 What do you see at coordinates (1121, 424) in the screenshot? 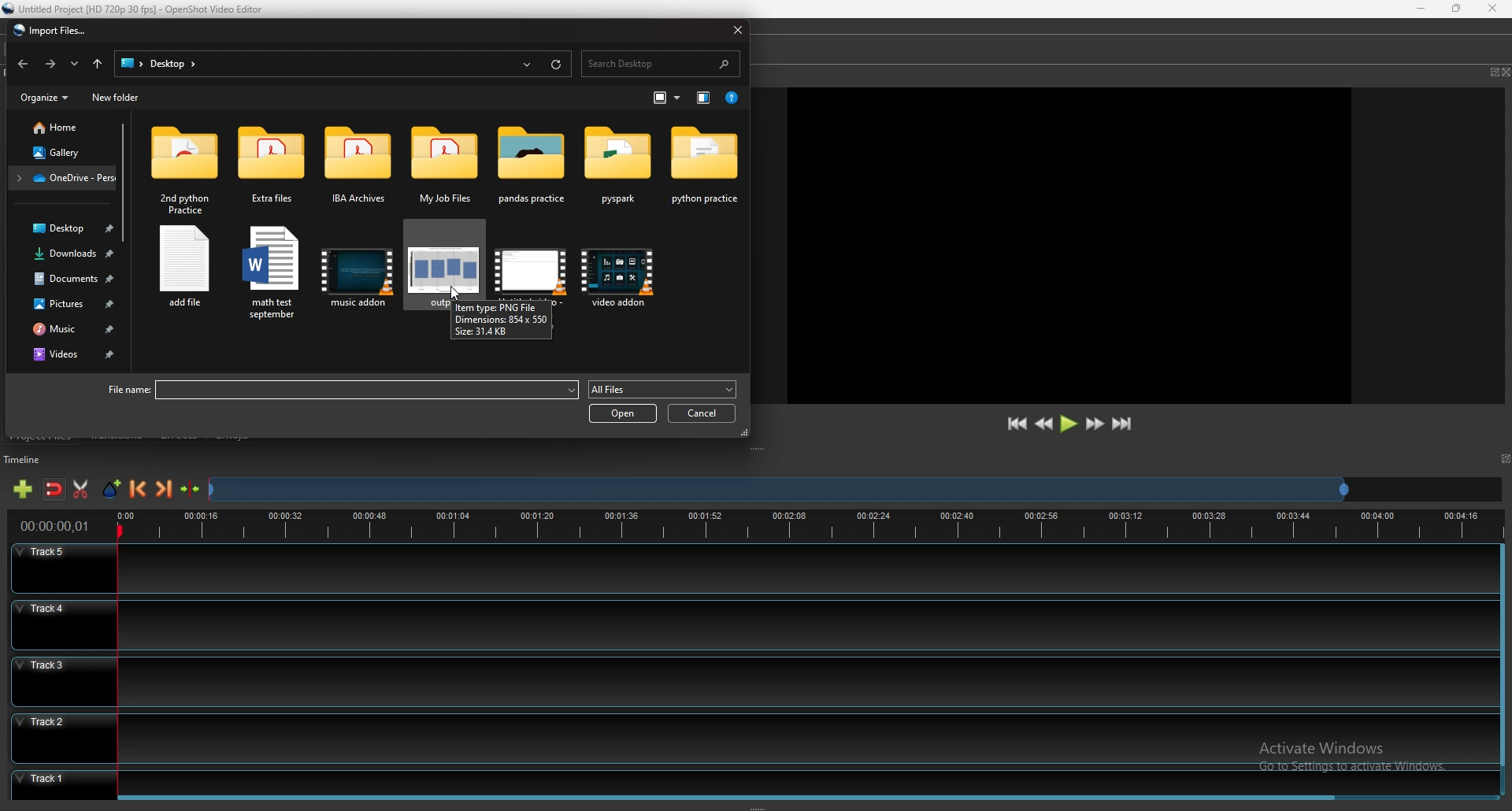
I see `jump to end` at bounding box center [1121, 424].